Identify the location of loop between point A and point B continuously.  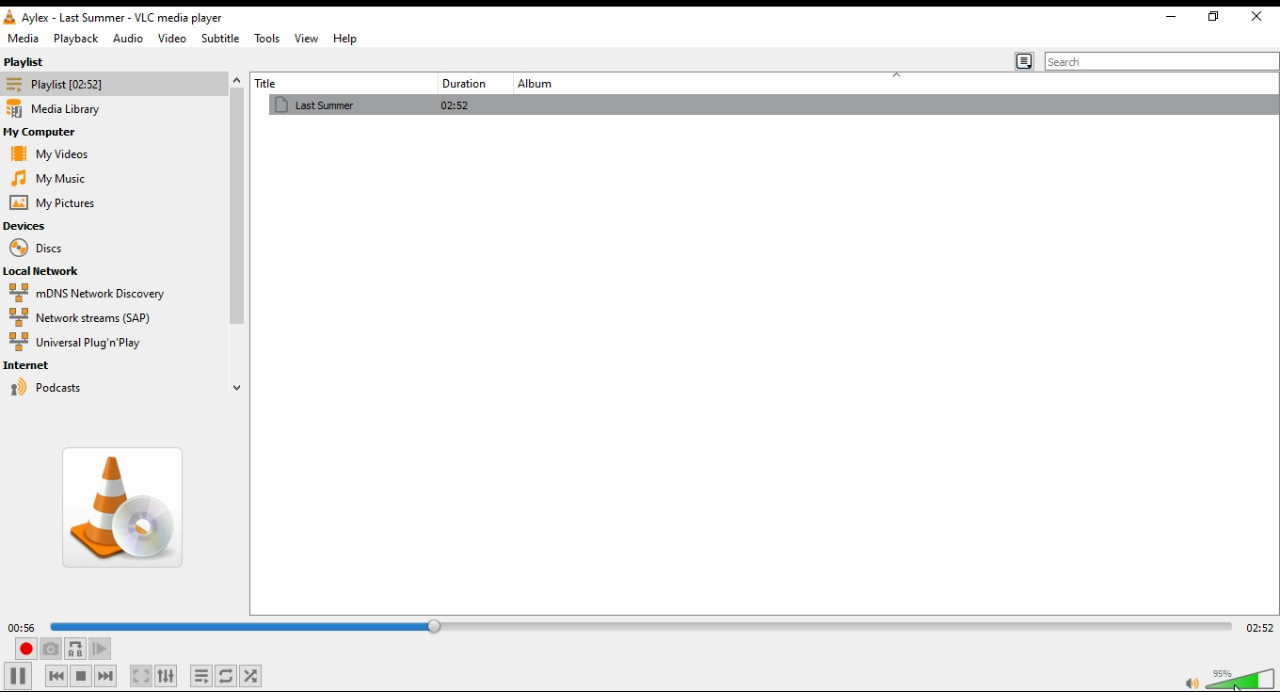
(76, 649).